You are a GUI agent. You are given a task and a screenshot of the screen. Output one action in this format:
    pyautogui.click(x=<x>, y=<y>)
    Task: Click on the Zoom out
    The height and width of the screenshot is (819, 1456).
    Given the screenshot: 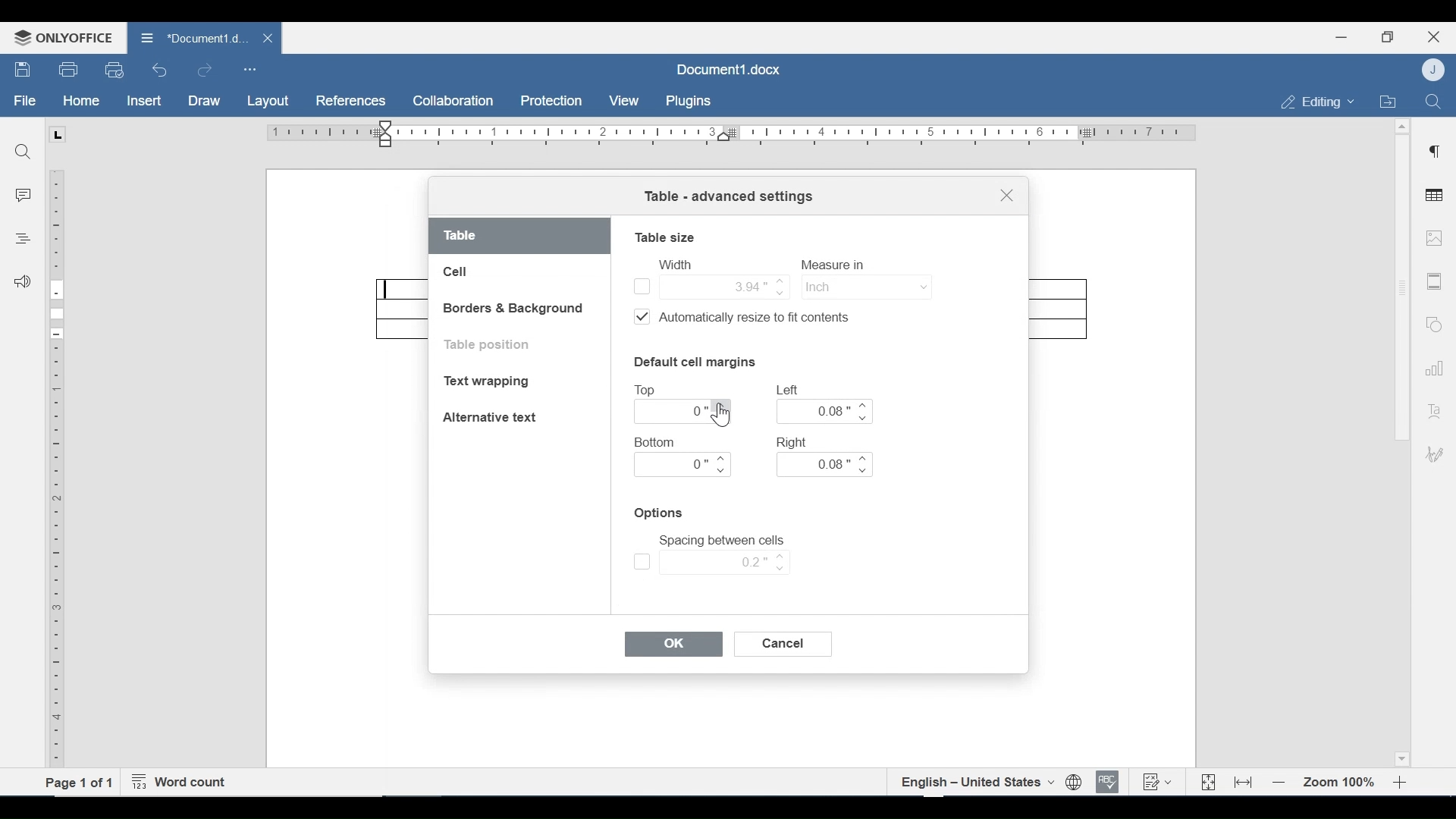 What is the action you would take?
    pyautogui.click(x=1279, y=783)
    